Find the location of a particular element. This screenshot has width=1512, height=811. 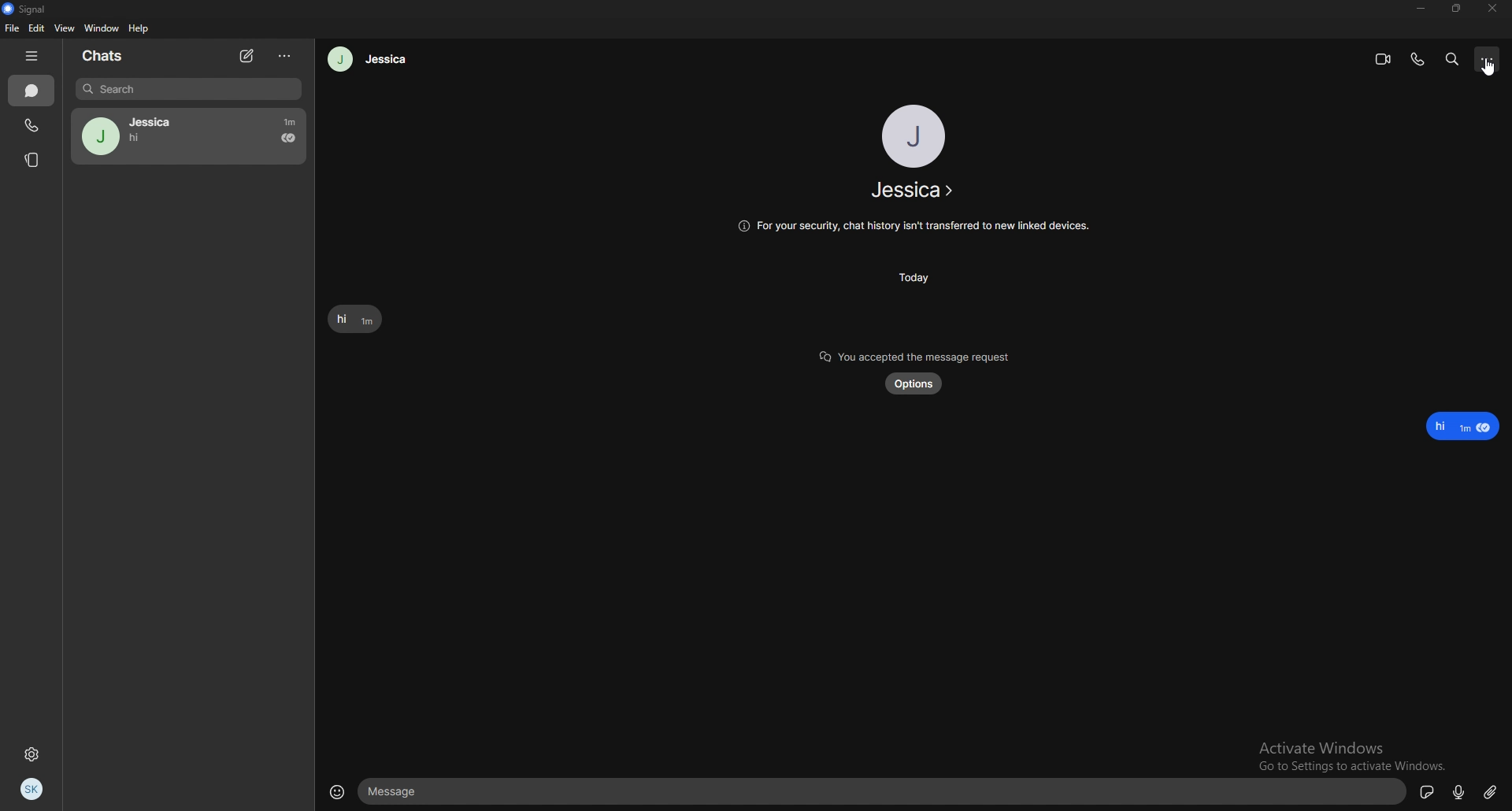

Jessica is located at coordinates (189, 136).